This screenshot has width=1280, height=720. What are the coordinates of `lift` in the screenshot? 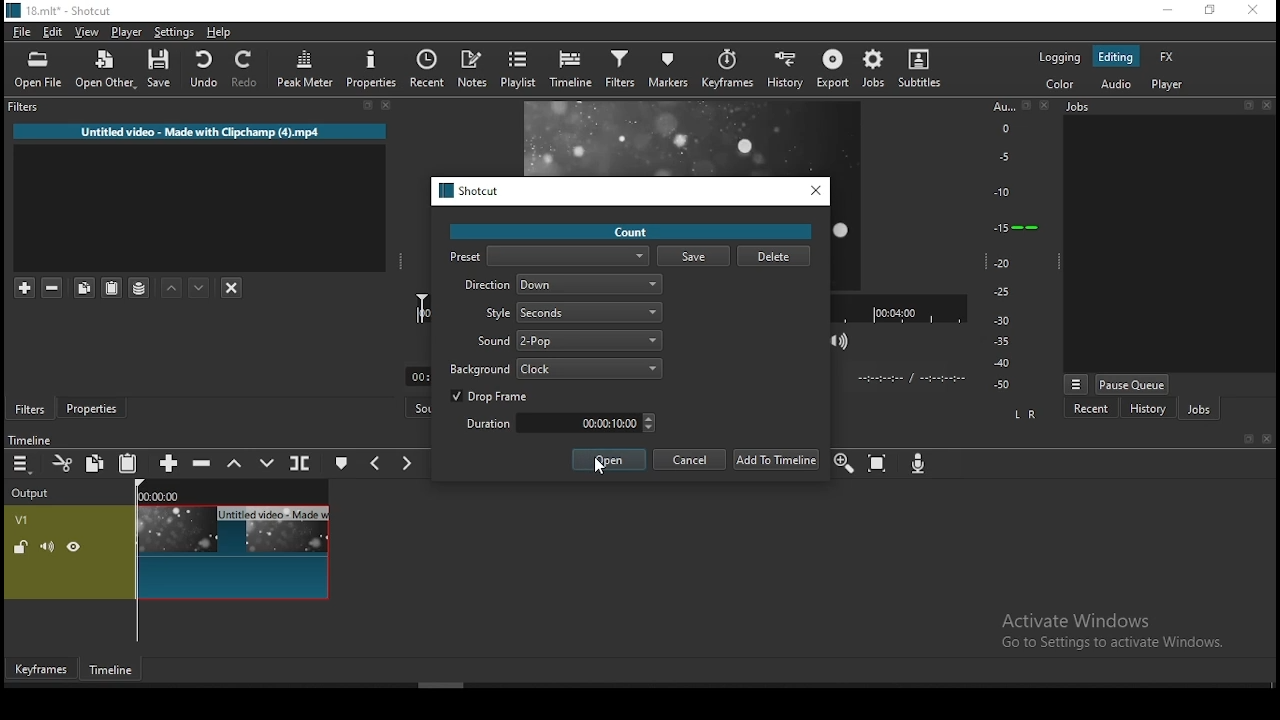 It's located at (234, 464).